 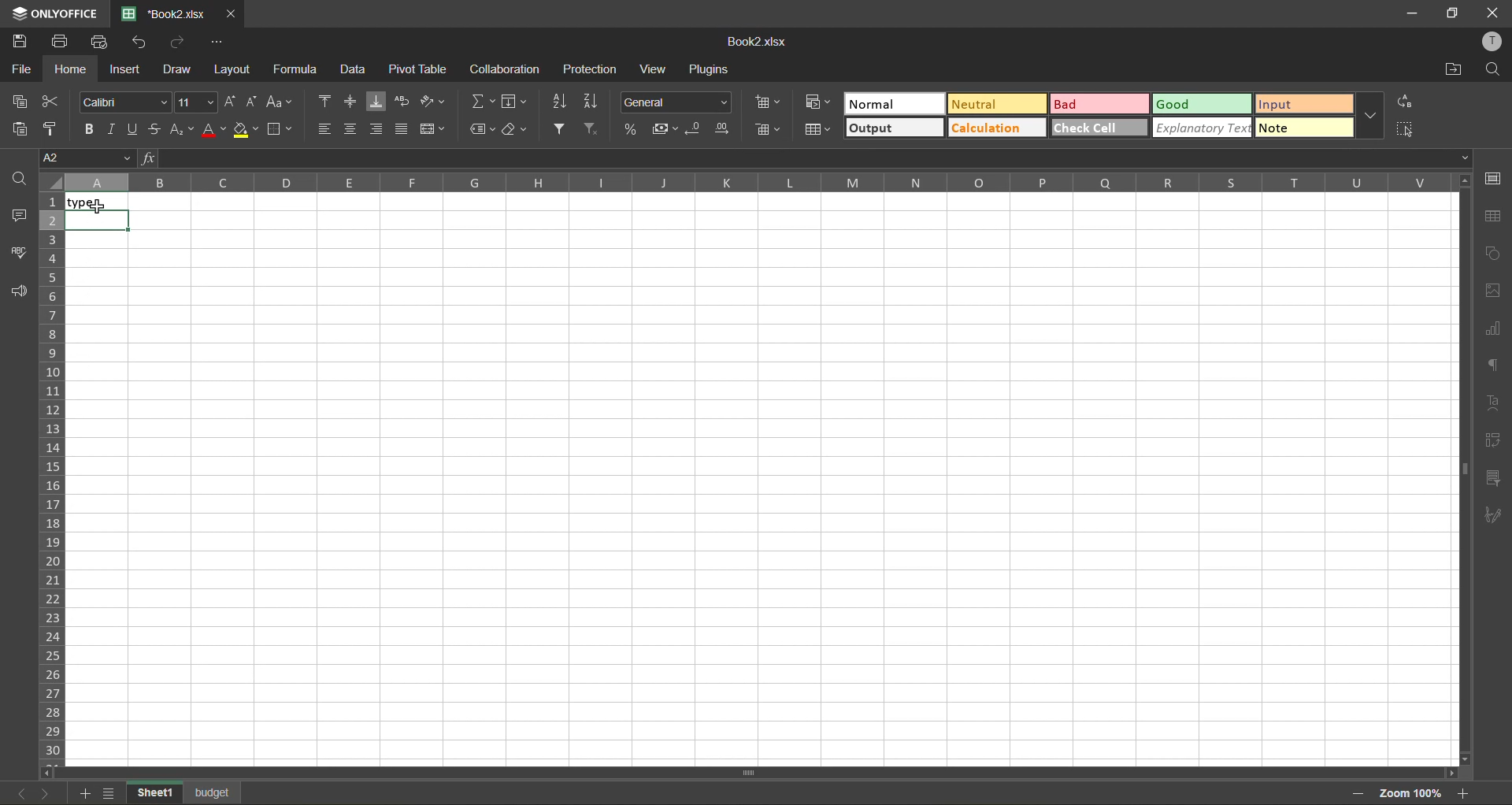 I want to click on zoom out, so click(x=1355, y=793).